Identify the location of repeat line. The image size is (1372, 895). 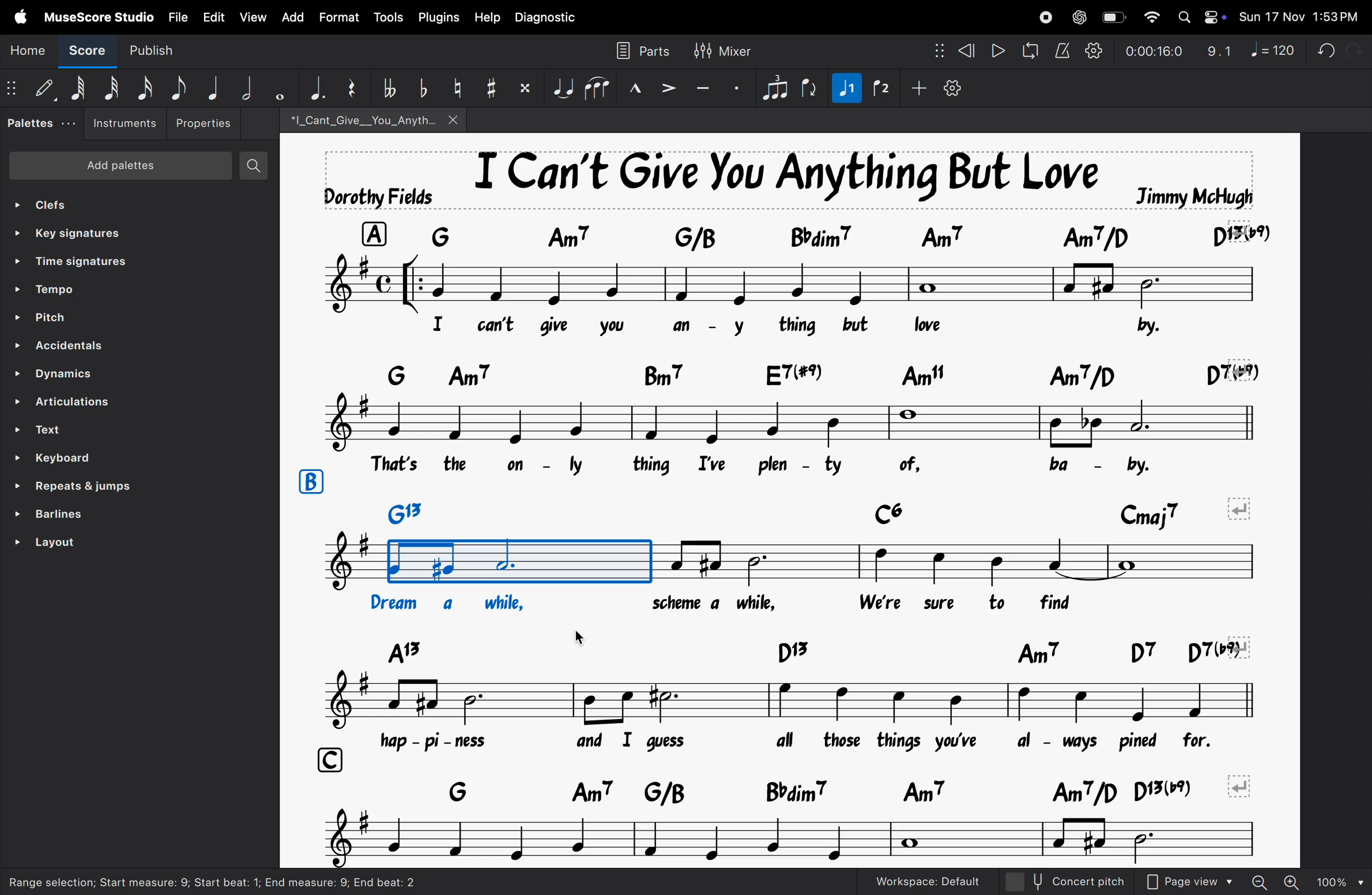
(77, 486).